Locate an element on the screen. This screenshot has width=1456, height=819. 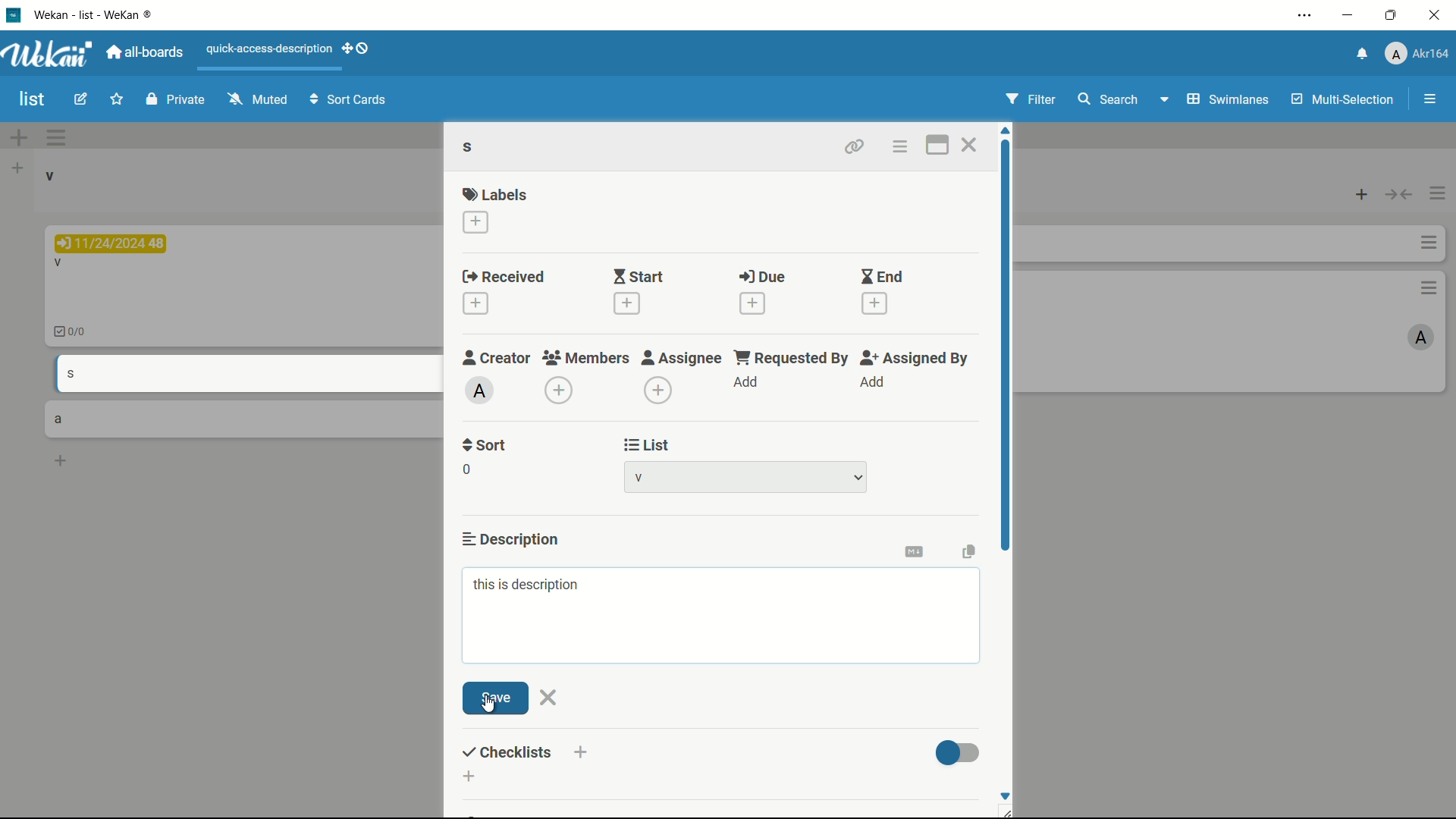
save is located at coordinates (497, 698).